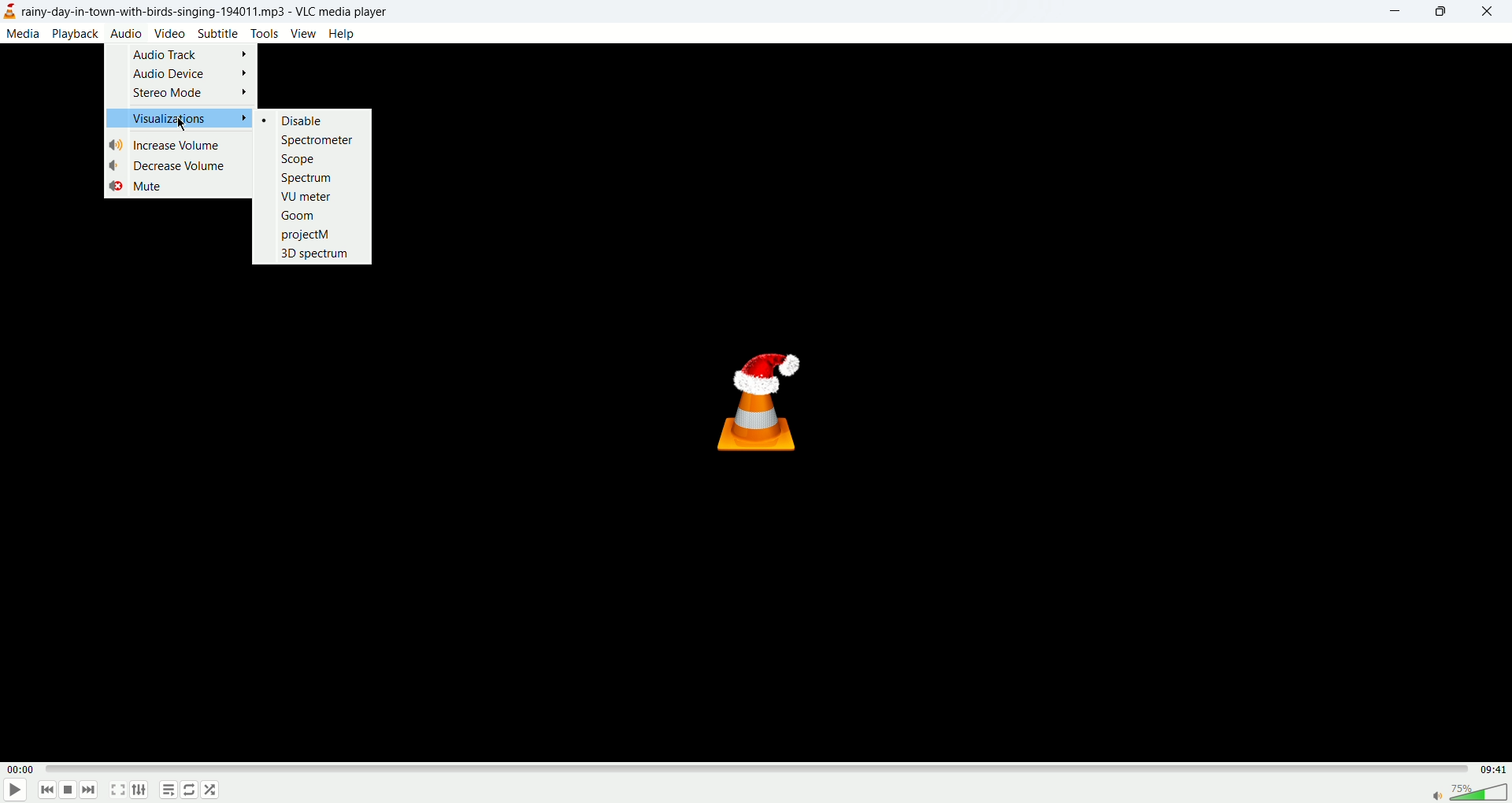 The height and width of the screenshot is (803, 1512). Describe the element at coordinates (1440, 13) in the screenshot. I see `maximize` at that location.